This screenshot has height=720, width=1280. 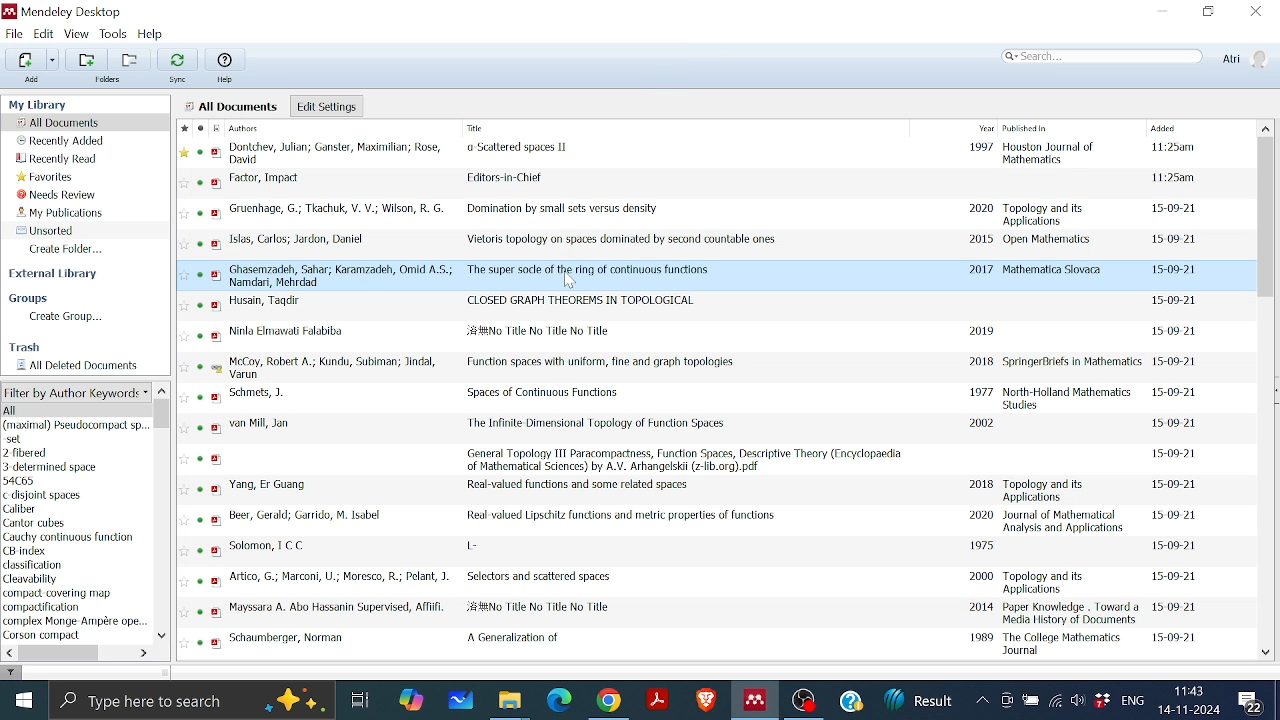 What do you see at coordinates (8, 653) in the screenshot?
I see `Move left` at bounding box center [8, 653].